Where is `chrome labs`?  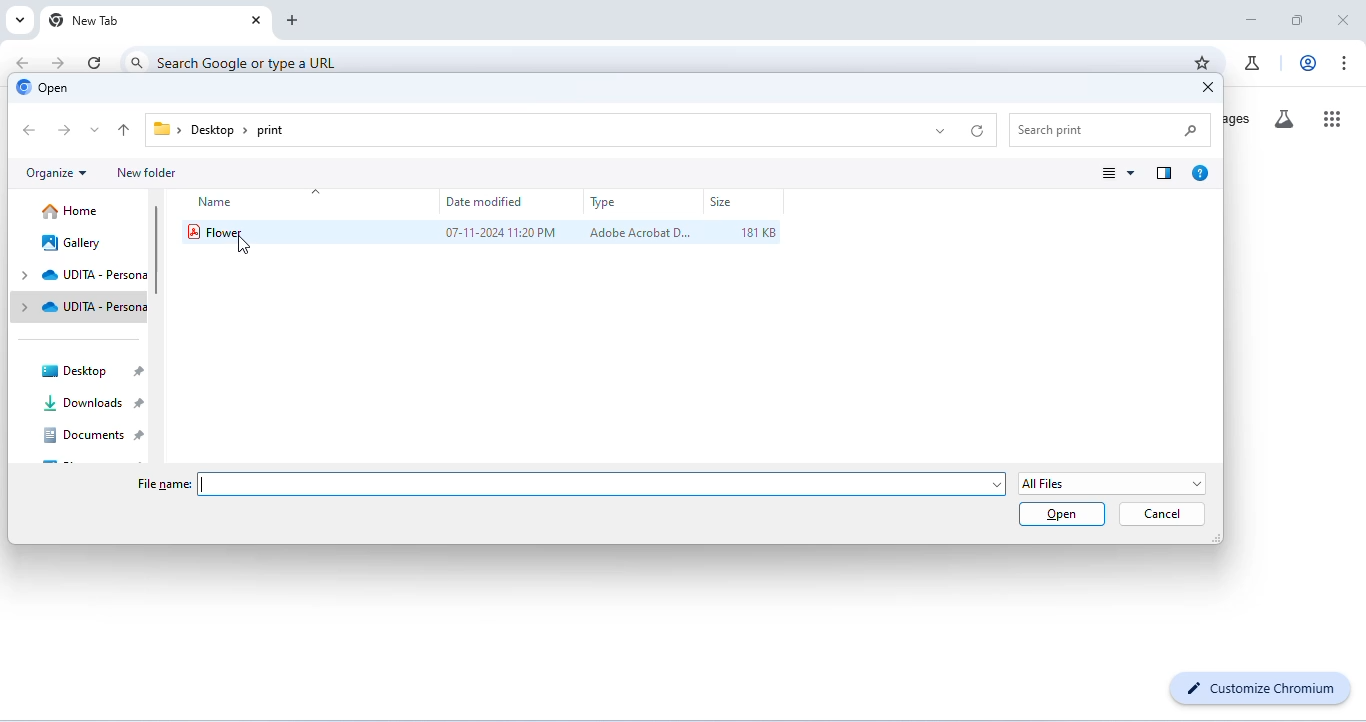 chrome labs is located at coordinates (1254, 66).